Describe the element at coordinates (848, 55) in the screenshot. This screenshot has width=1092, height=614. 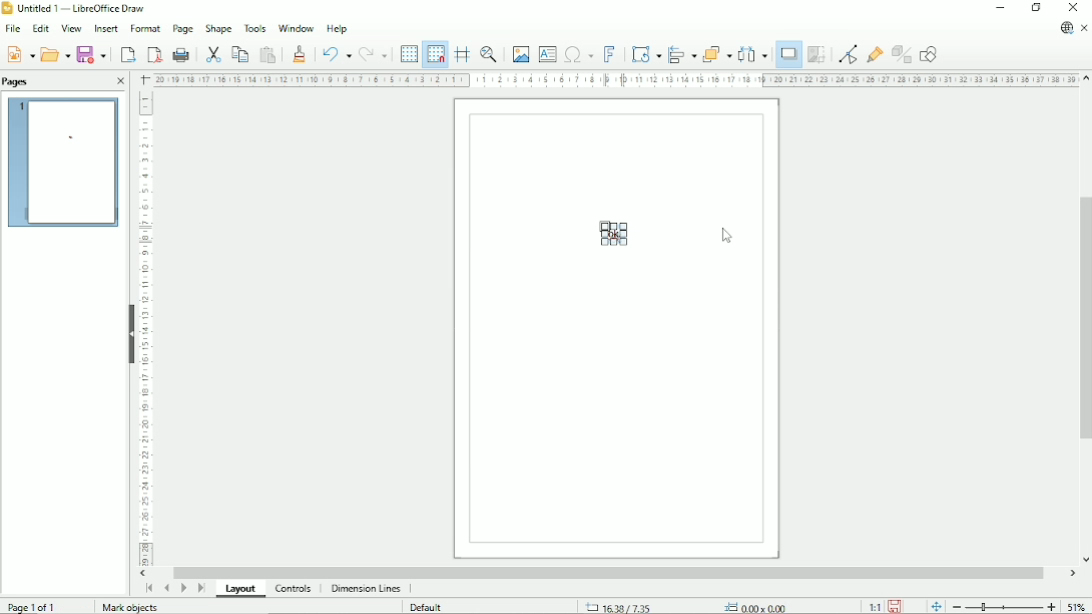
I see `Toggle point edit mode` at that location.